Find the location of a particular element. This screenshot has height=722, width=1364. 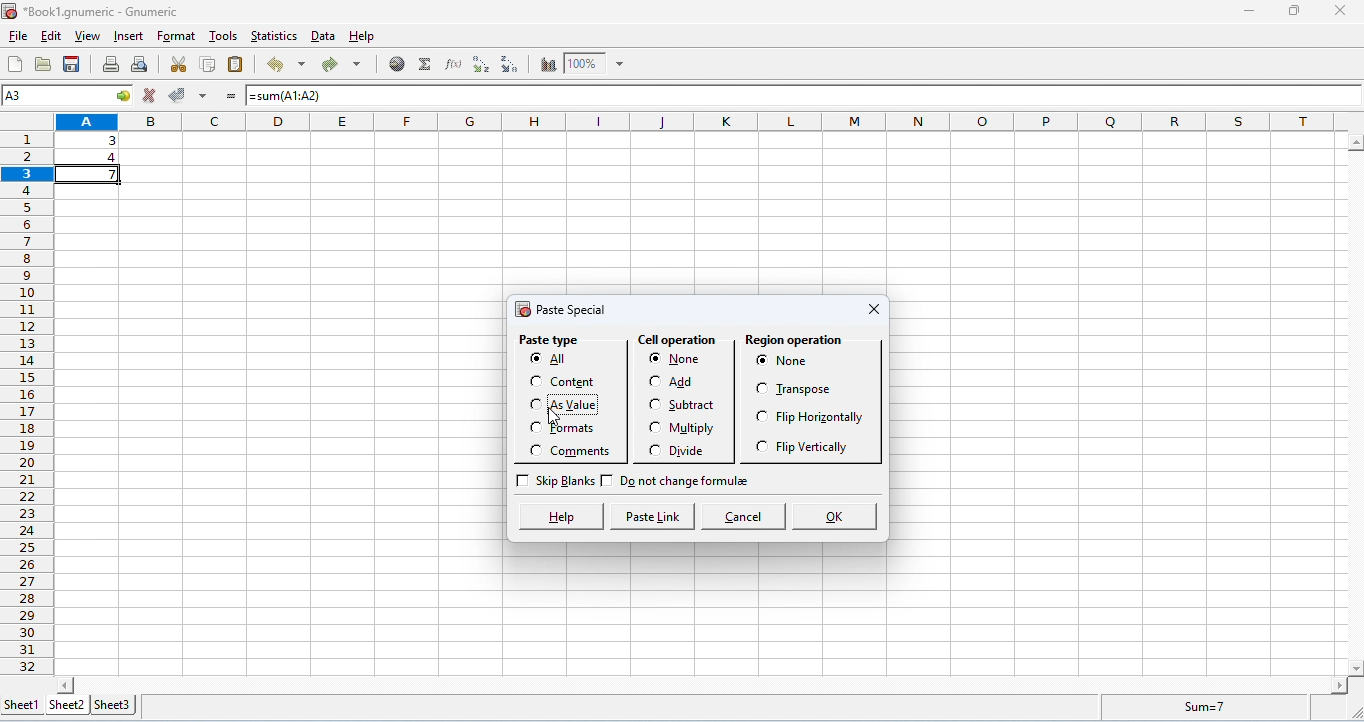

help is located at coordinates (559, 516).